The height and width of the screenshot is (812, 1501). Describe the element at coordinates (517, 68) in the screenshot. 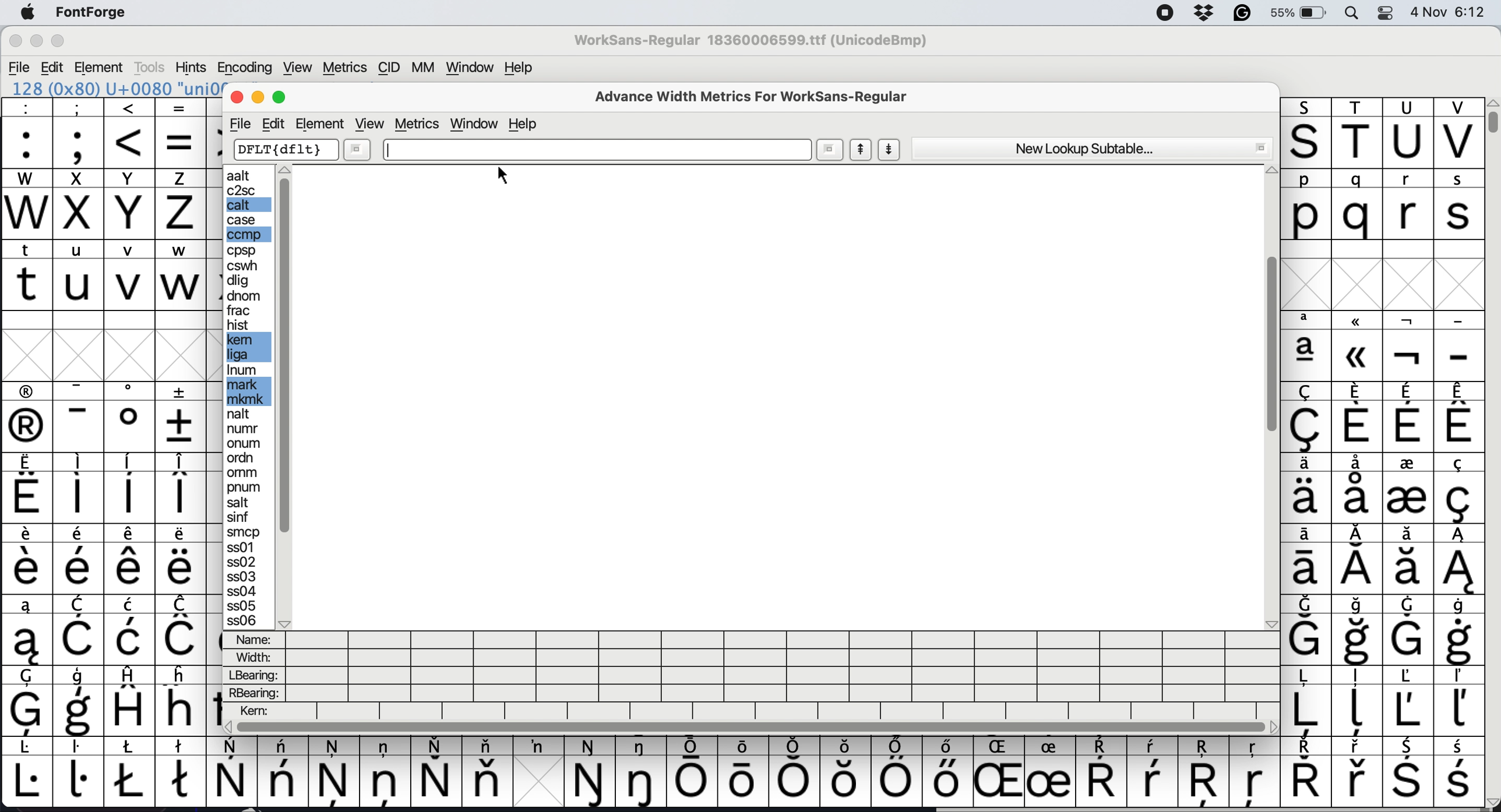

I see `Help` at that location.